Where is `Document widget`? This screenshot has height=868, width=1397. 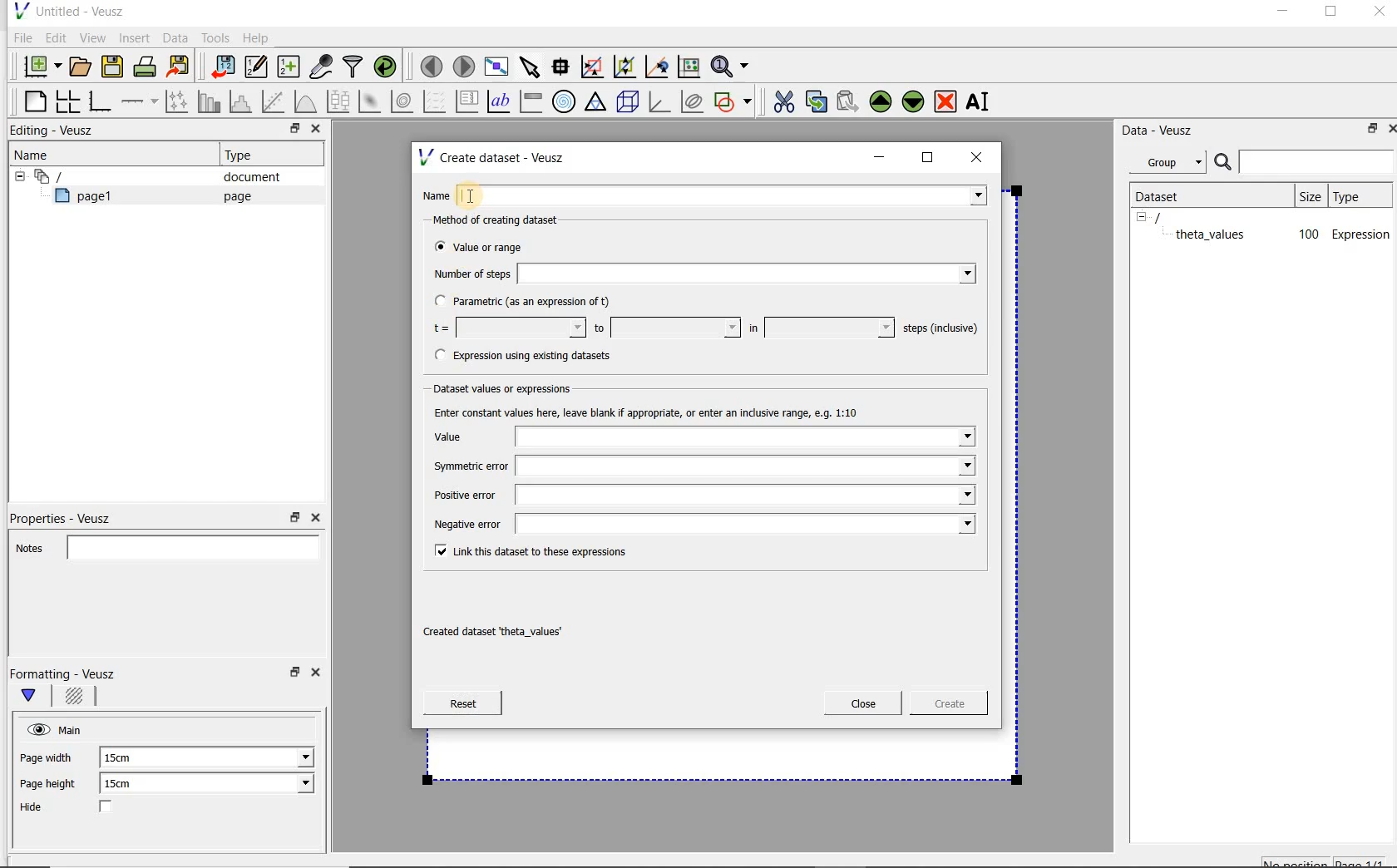
Document widget is located at coordinates (78, 176).